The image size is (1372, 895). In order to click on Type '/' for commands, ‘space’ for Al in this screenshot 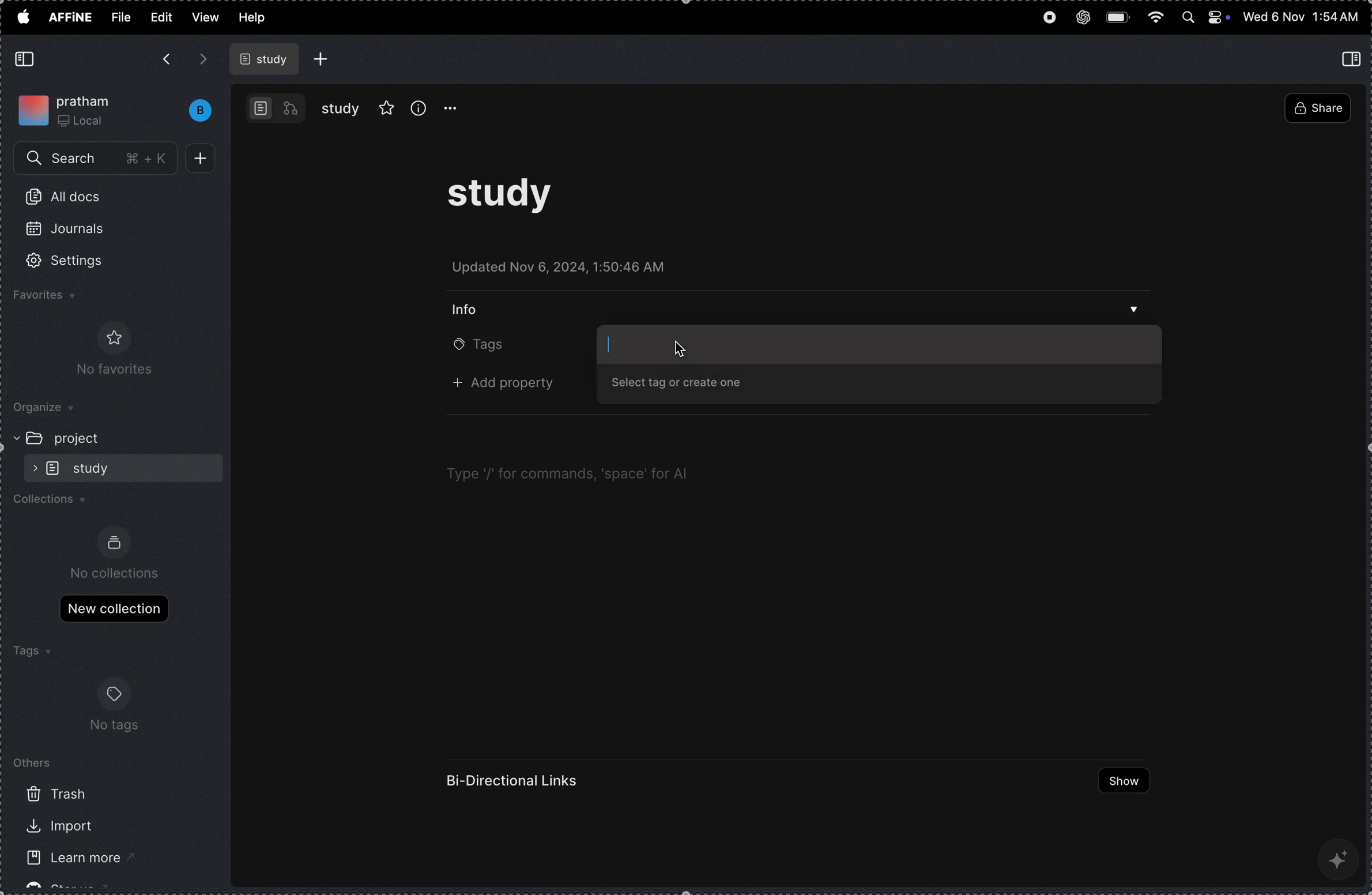, I will do `click(566, 474)`.